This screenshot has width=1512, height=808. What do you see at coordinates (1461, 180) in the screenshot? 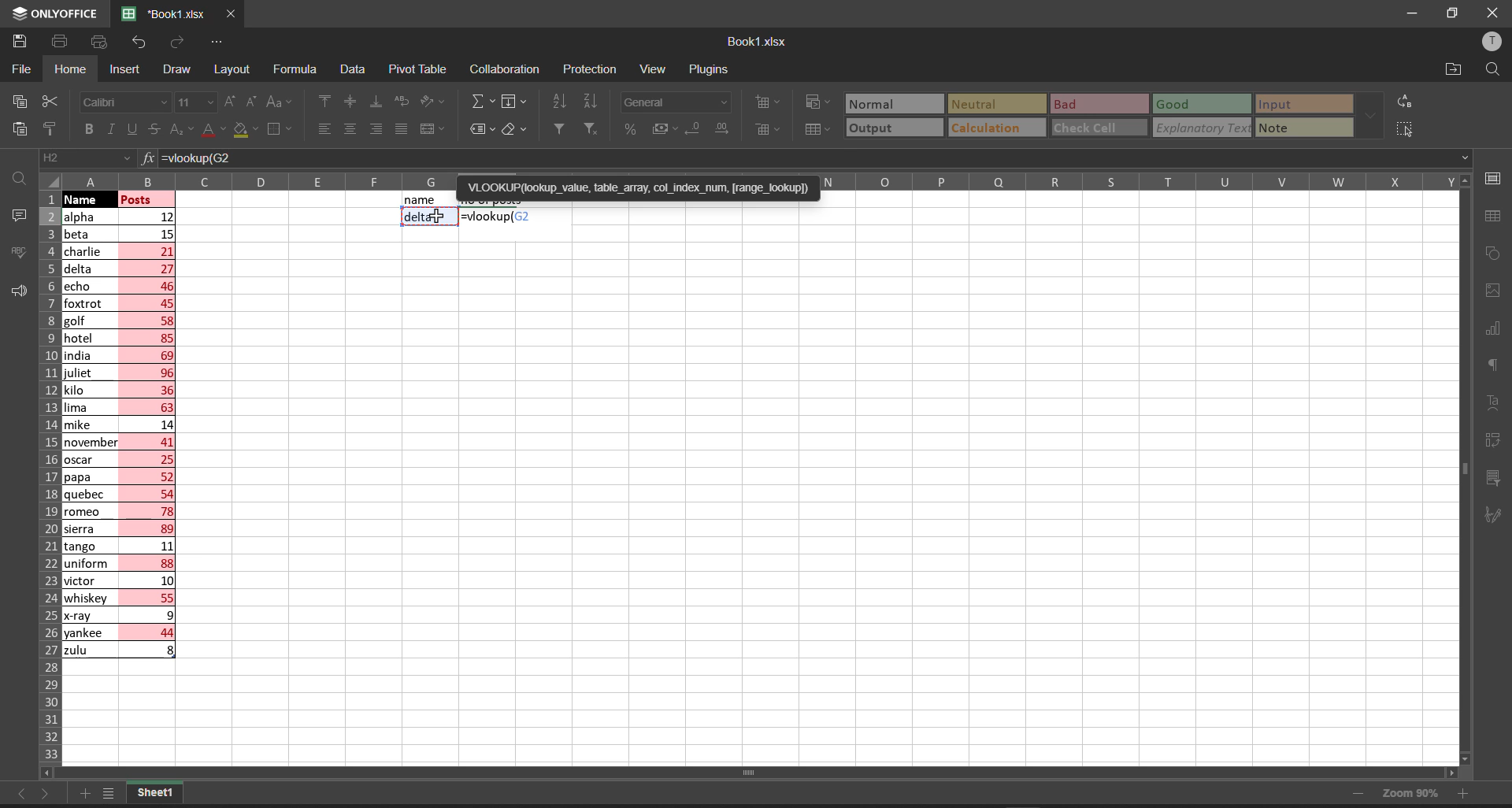
I see `scroll up` at bounding box center [1461, 180].